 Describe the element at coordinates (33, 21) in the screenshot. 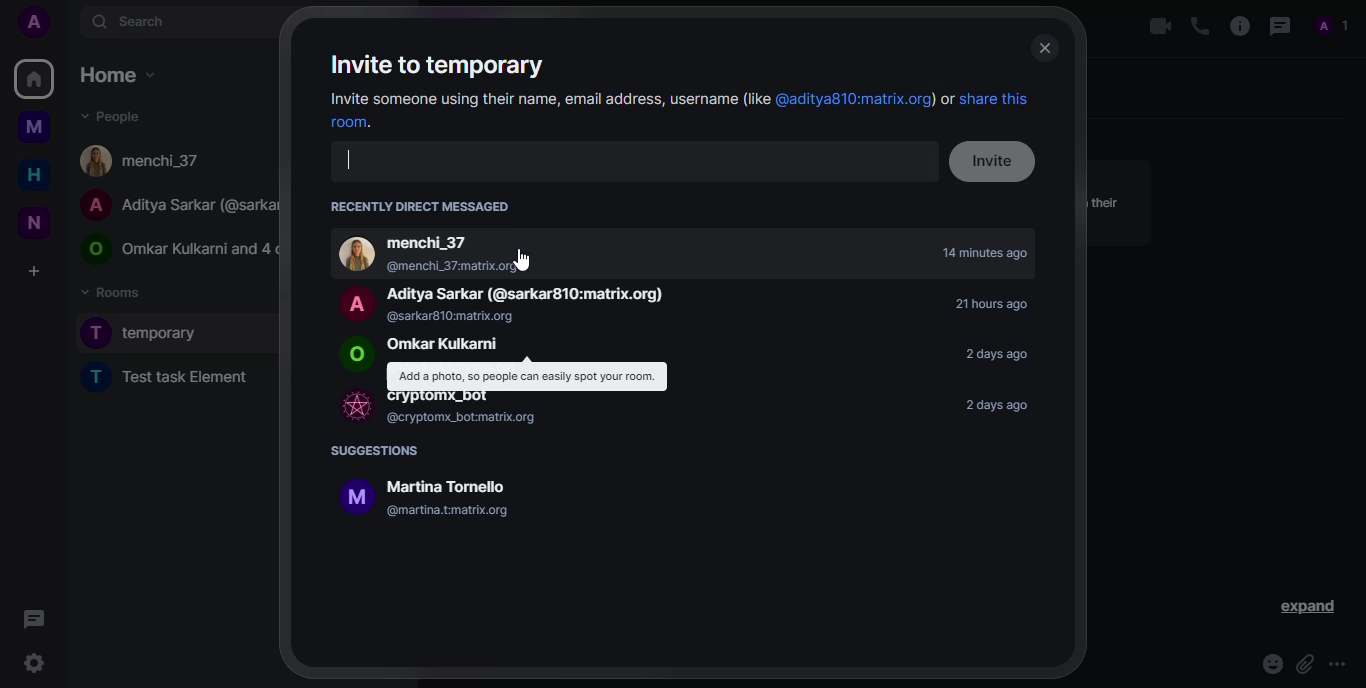

I see `profile` at that location.